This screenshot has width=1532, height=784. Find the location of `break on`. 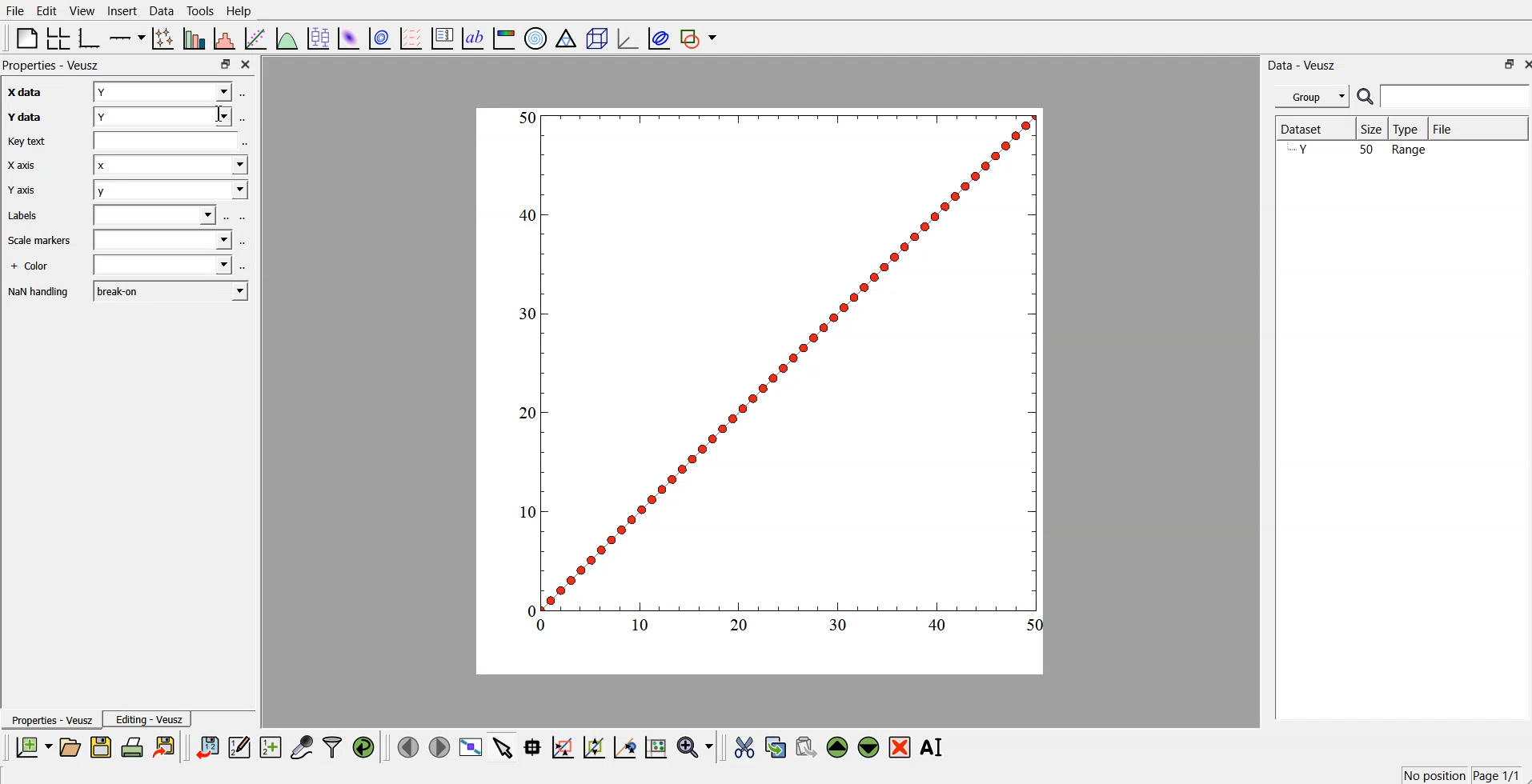

break on is located at coordinates (170, 290).